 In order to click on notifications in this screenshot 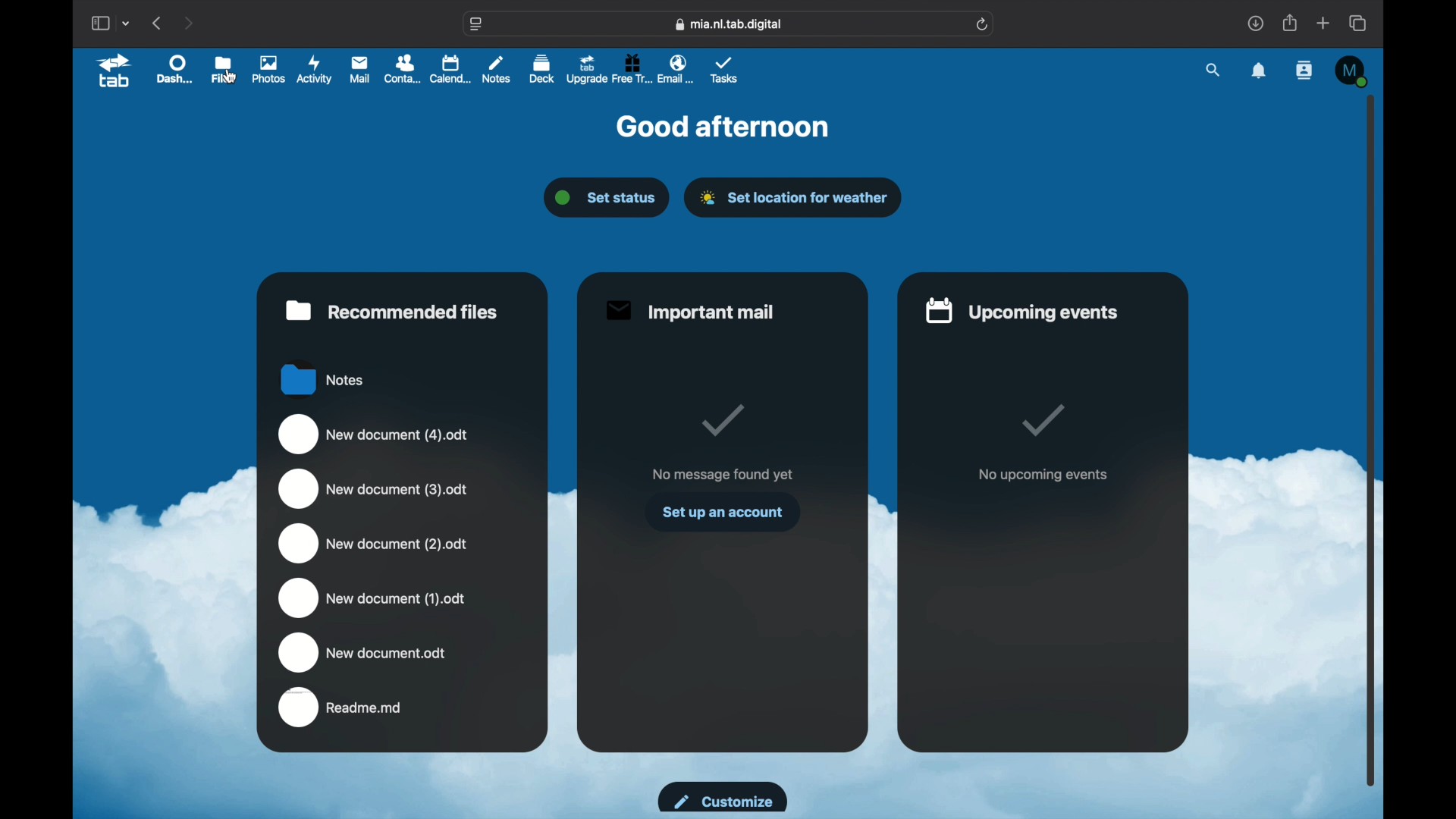, I will do `click(1259, 71)`.